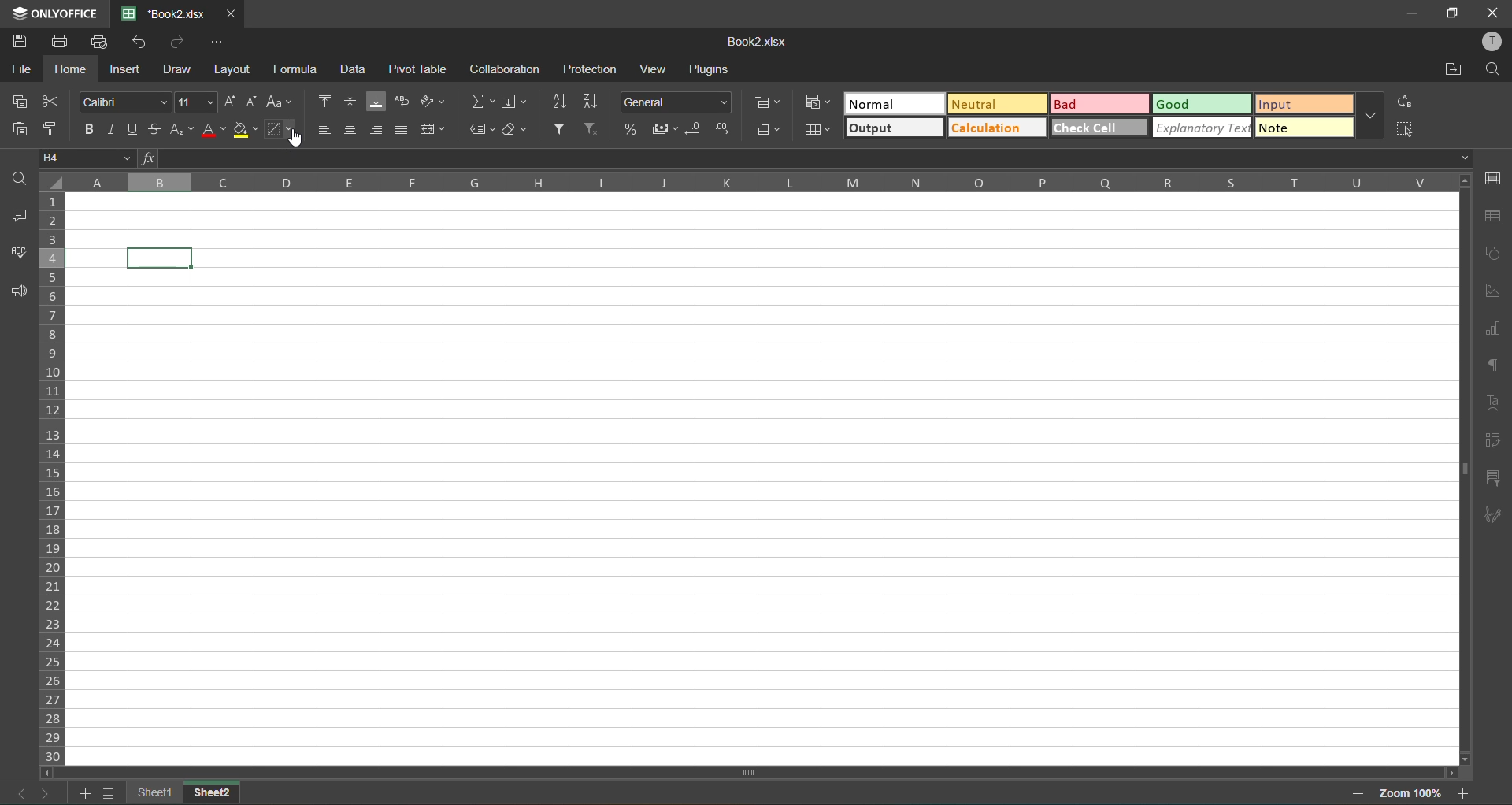 This screenshot has width=1512, height=805. I want to click on good, so click(1201, 106).